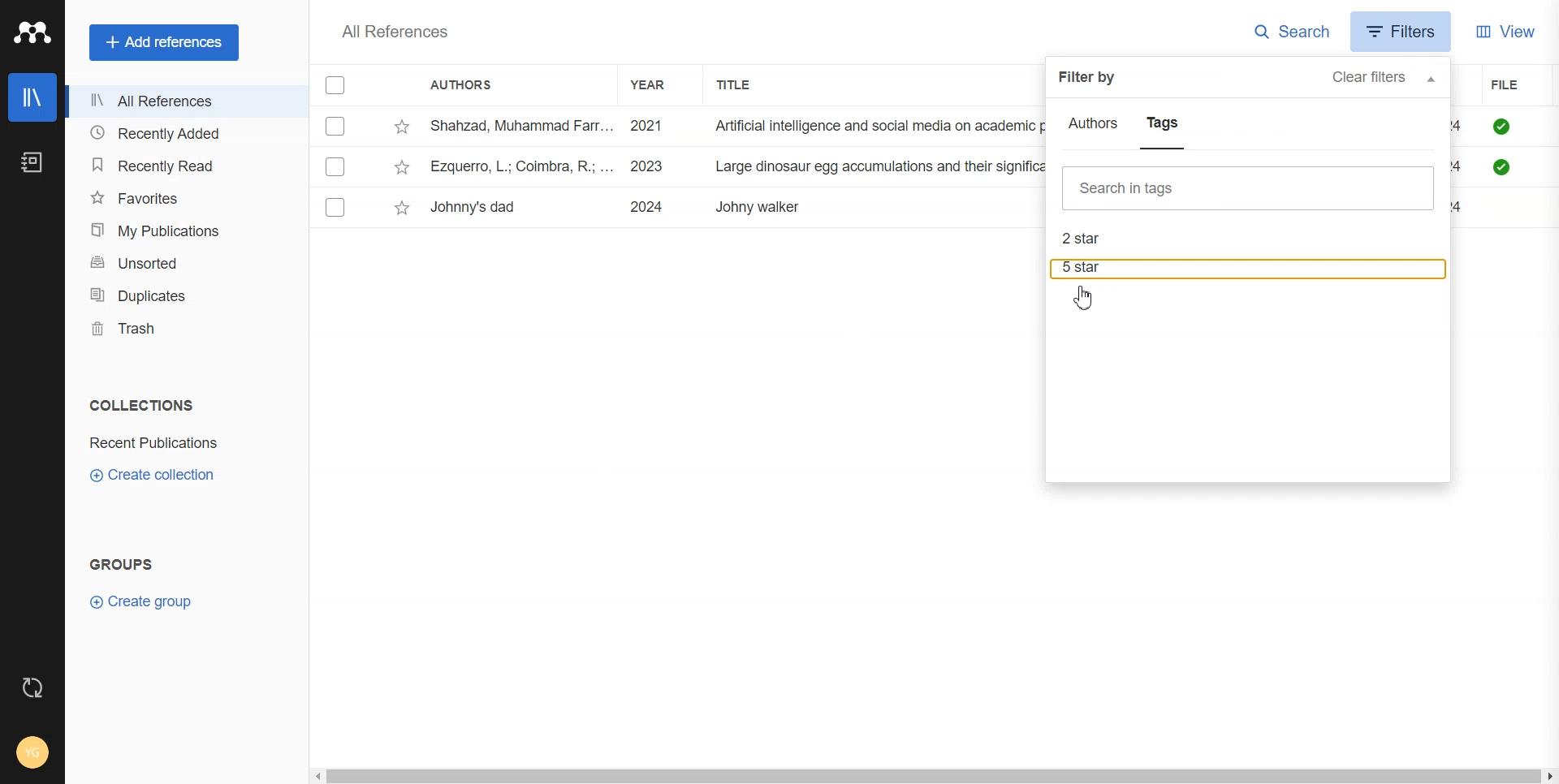 The height and width of the screenshot is (784, 1559). I want to click on Duplicates, so click(181, 295).